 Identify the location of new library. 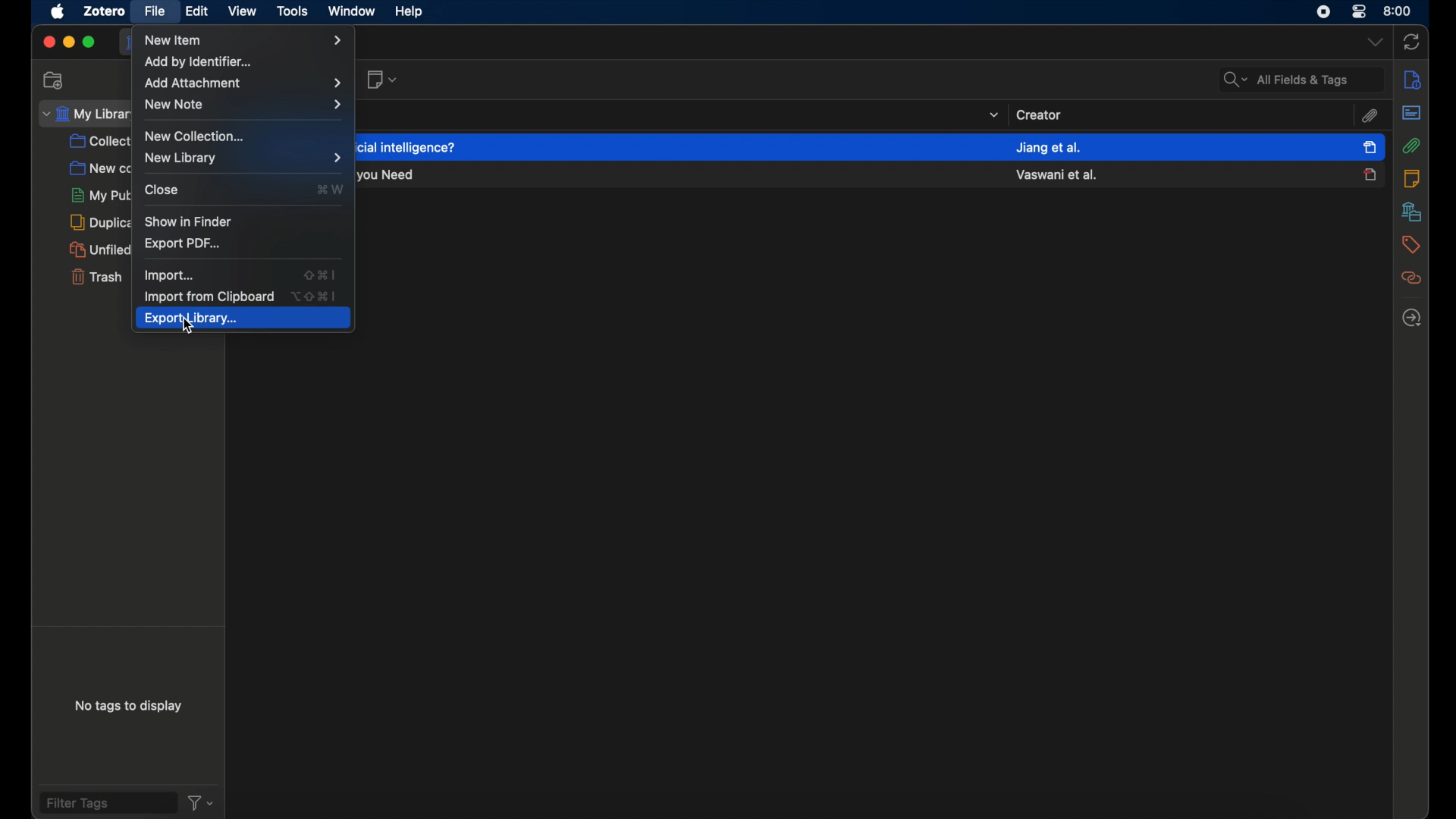
(184, 159).